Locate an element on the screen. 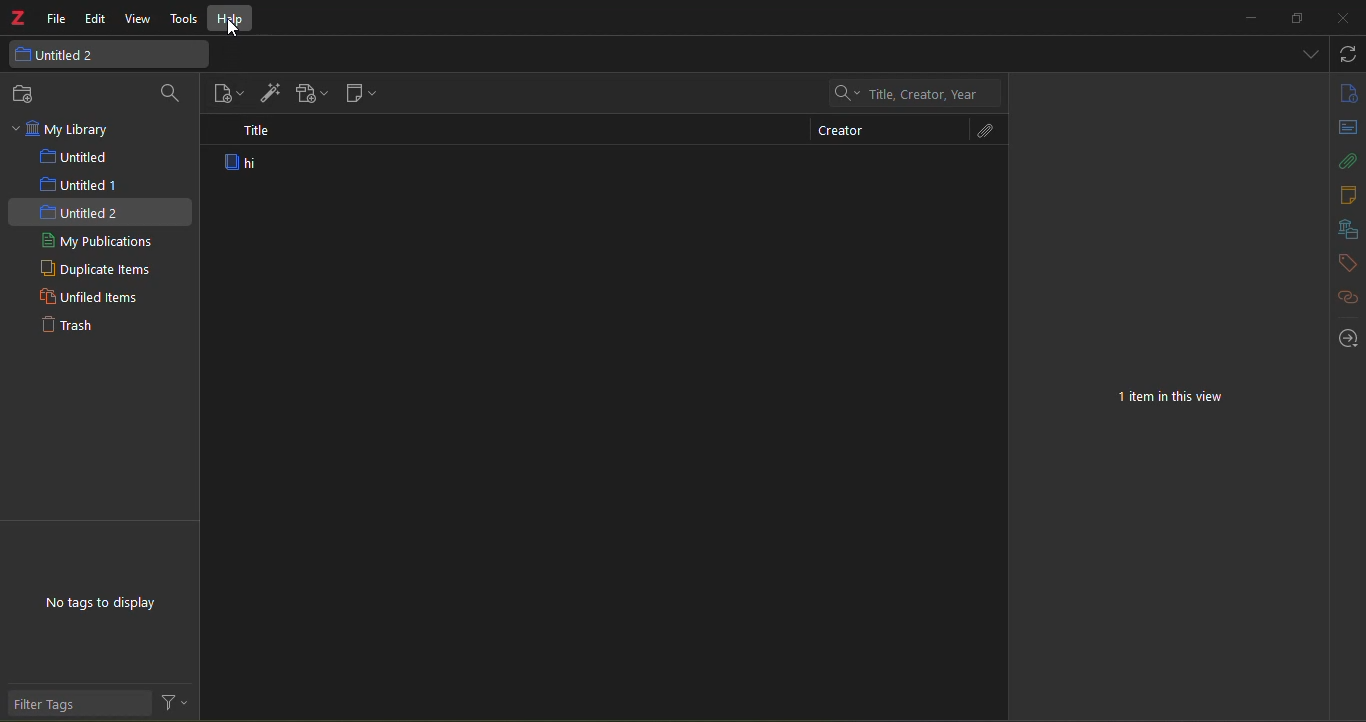  untitled 1 is located at coordinates (80, 185).